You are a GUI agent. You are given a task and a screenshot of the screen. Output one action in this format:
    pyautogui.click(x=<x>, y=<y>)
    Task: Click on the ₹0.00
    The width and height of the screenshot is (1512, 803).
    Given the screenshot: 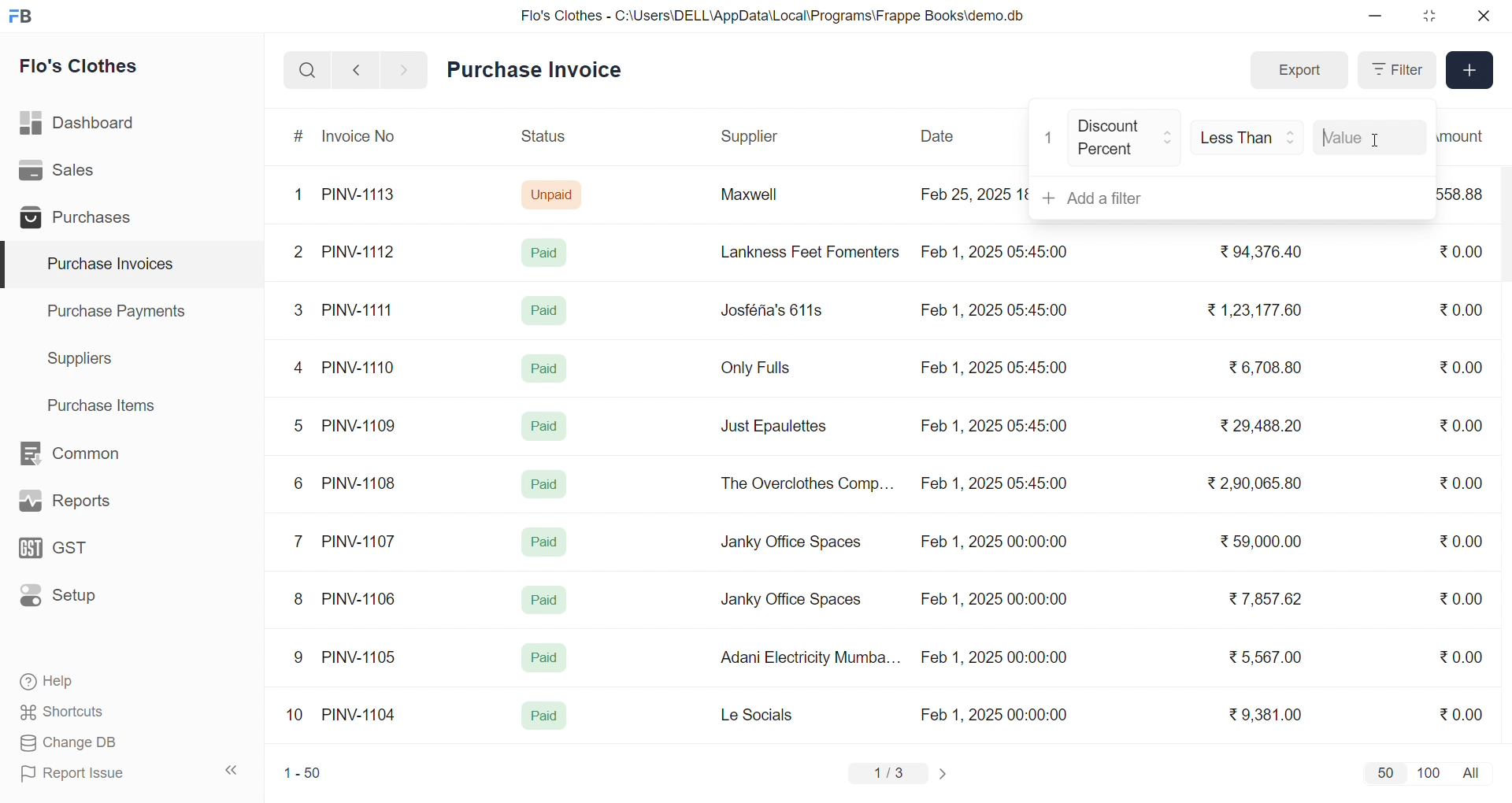 What is the action you would take?
    pyautogui.click(x=1462, y=656)
    